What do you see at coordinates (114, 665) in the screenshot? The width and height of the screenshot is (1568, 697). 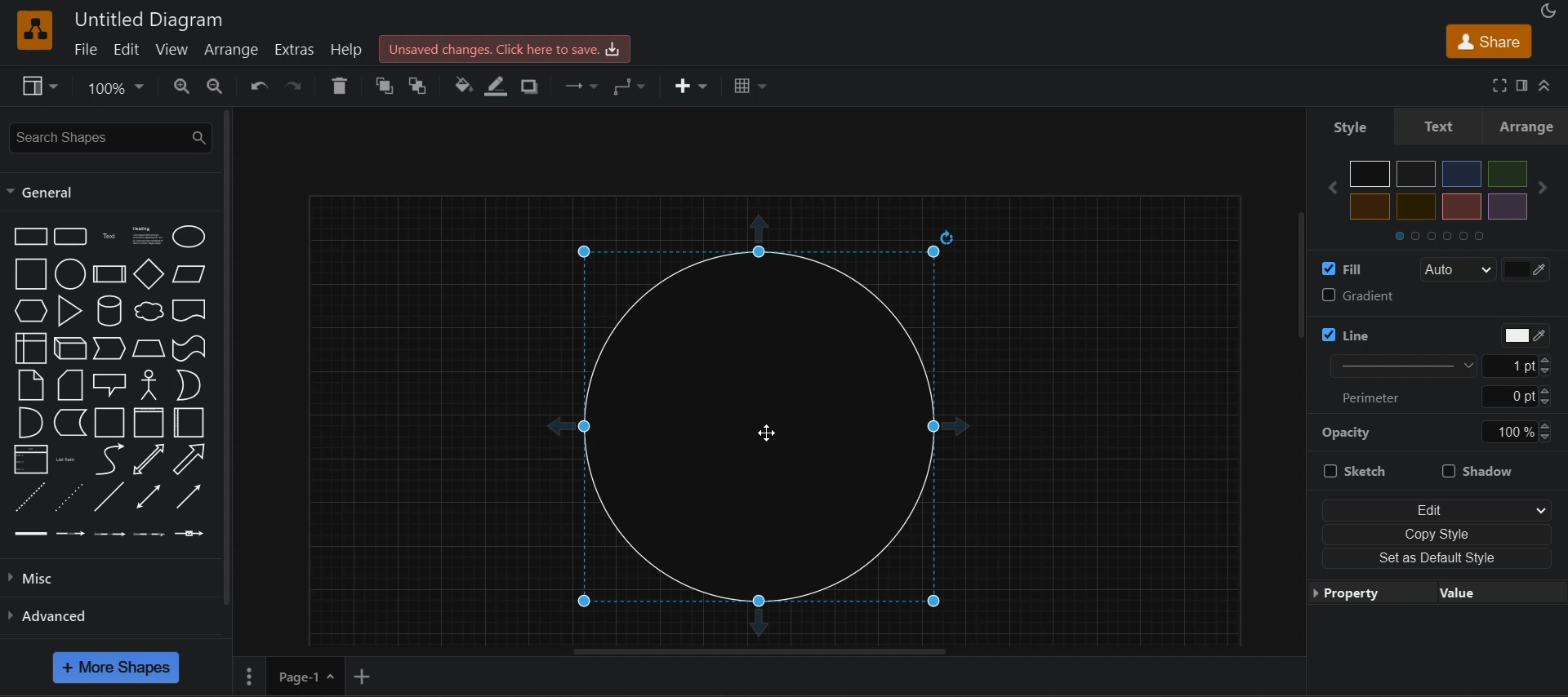 I see `more shapes` at bounding box center [114, 665].